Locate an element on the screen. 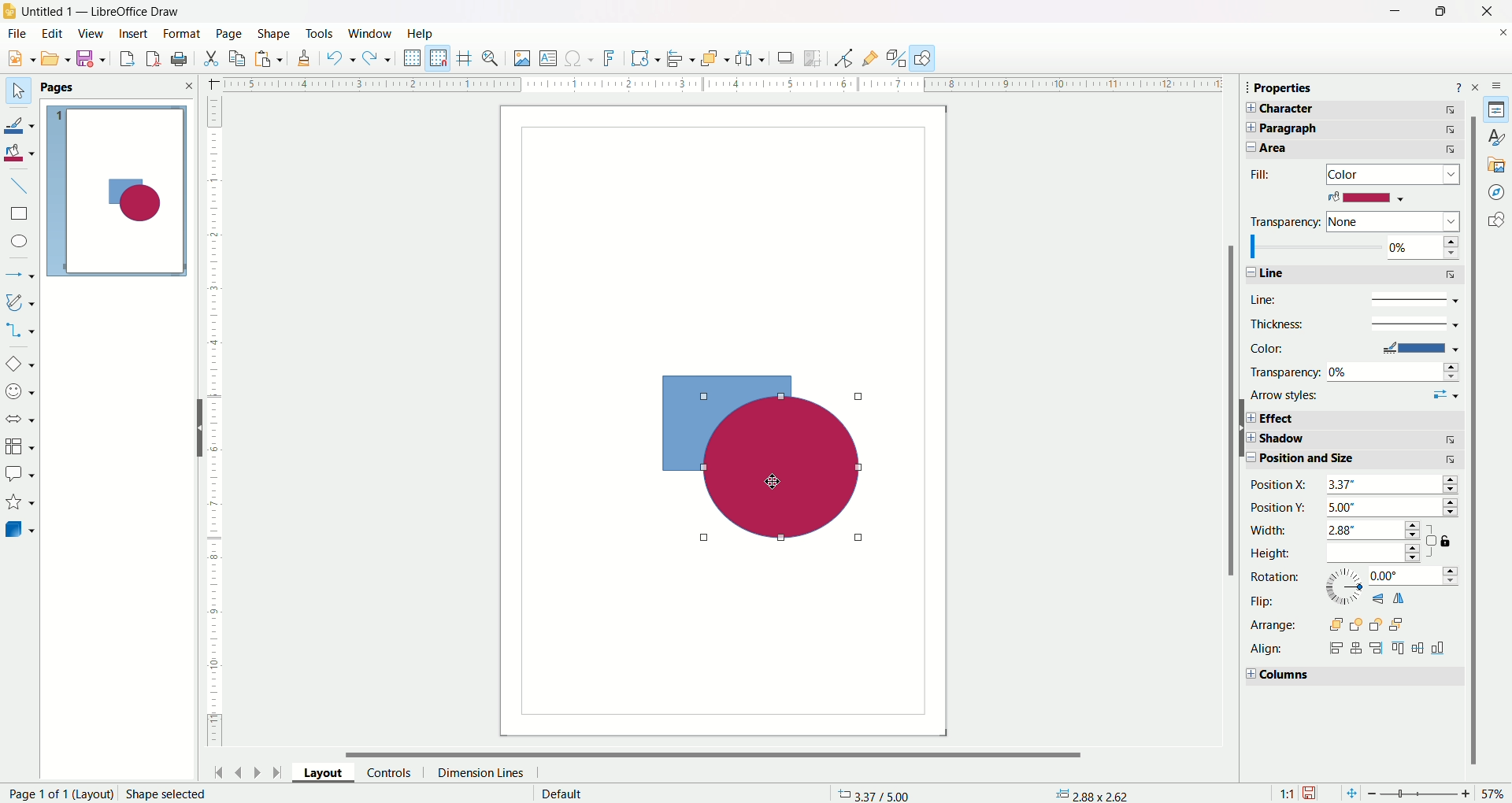  navigator is located at coordinates (1497, 191).